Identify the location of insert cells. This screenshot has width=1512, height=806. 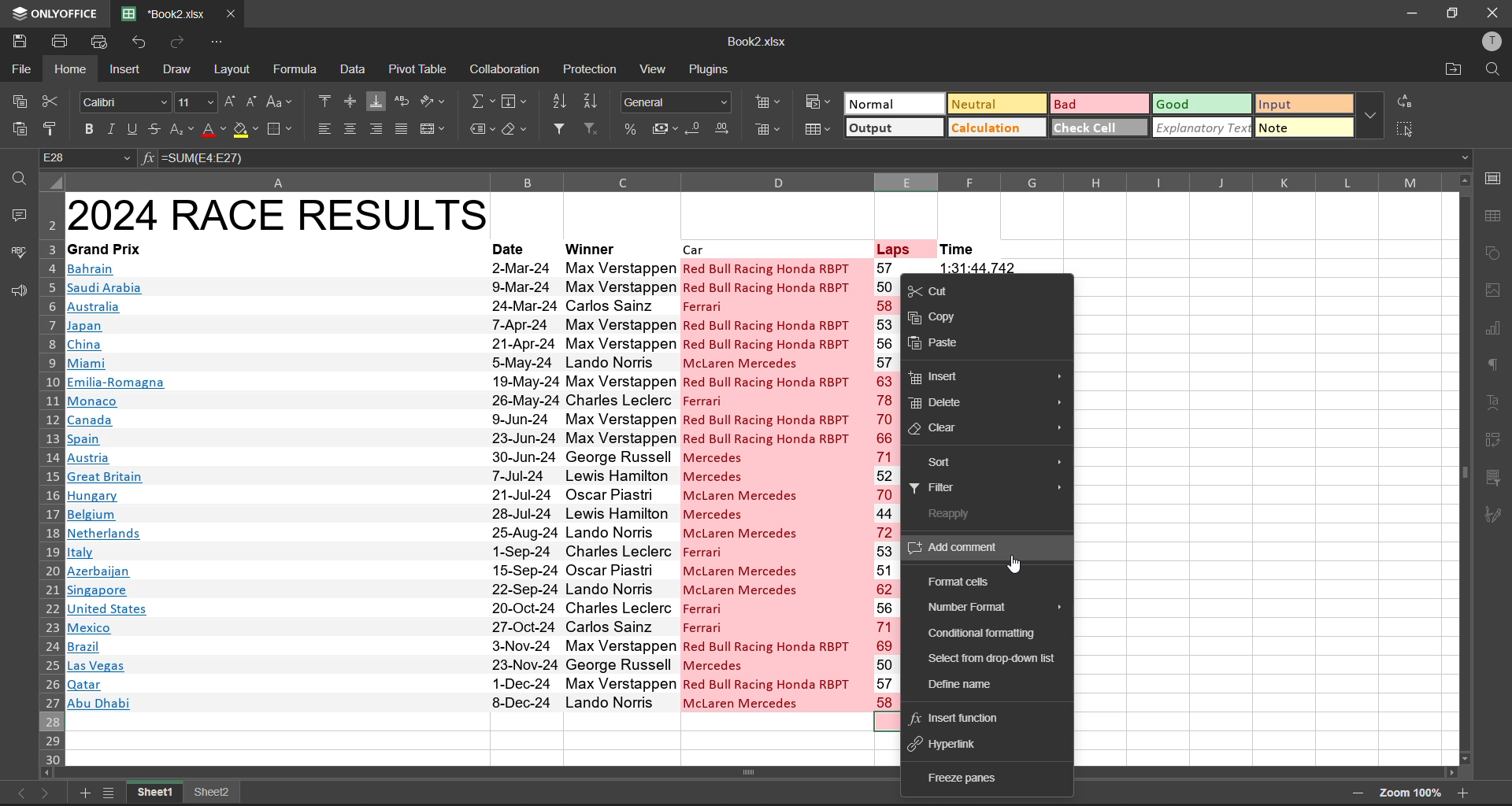
(771, 104).